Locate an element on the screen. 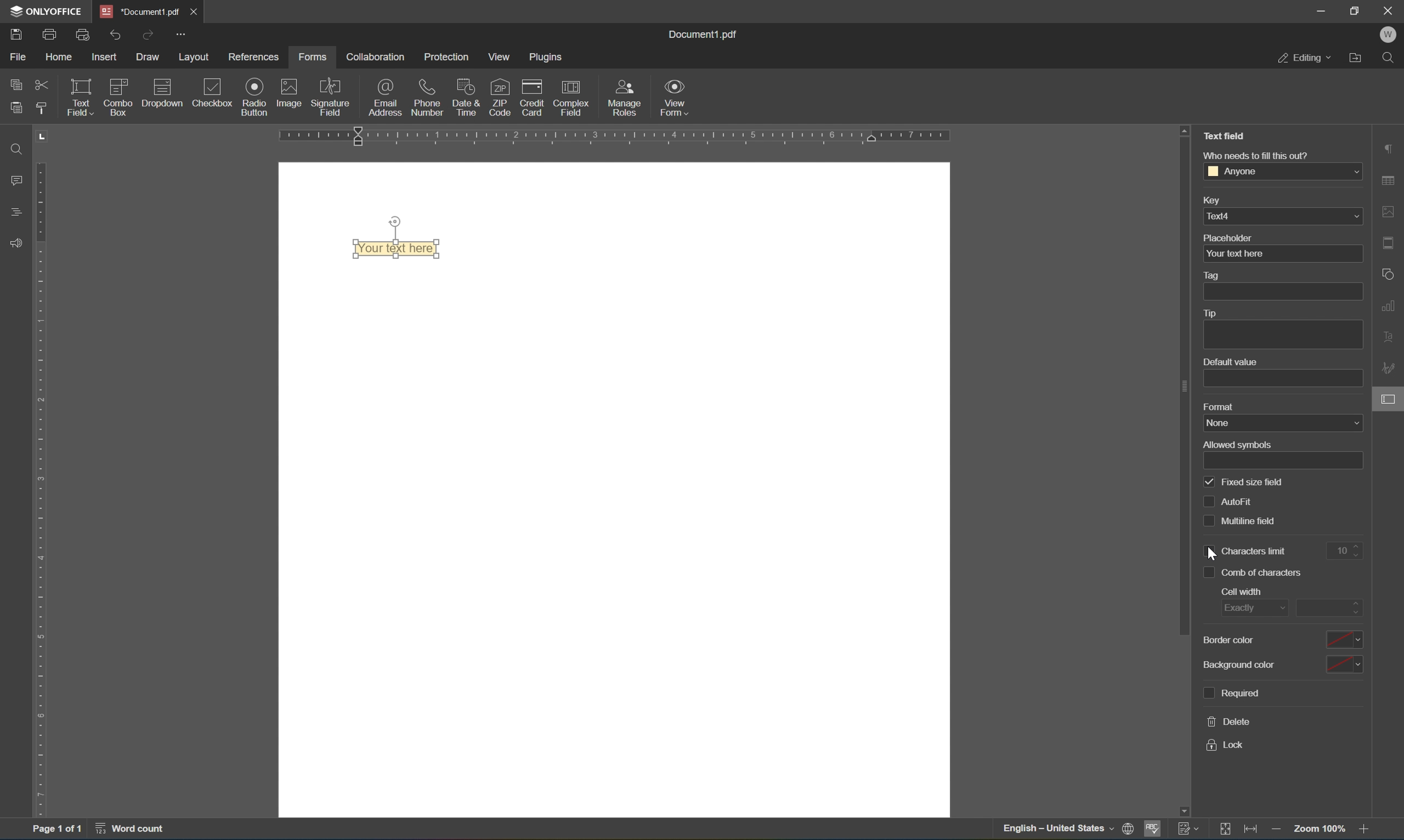 This screenshot has width=1404, height=840. copy style is located at coordinates (41, 108).